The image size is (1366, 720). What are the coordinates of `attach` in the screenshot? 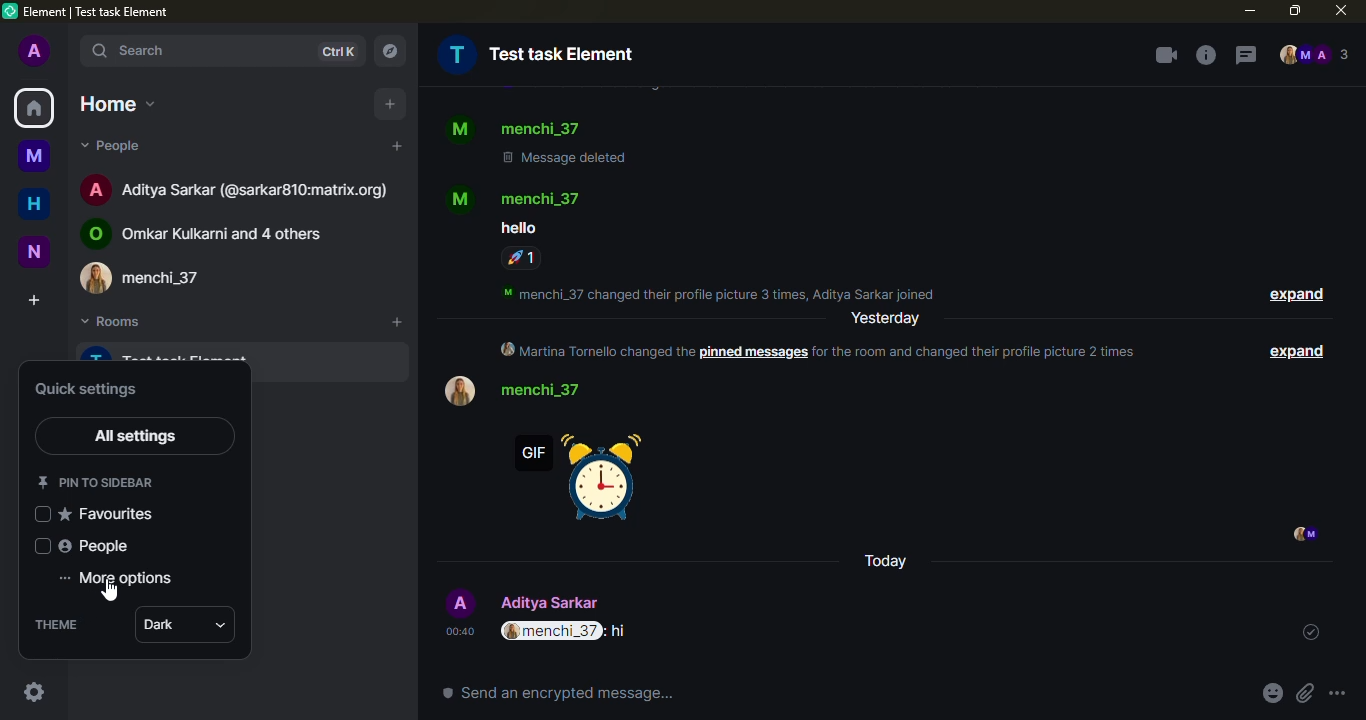 It's located at (1304, 694).